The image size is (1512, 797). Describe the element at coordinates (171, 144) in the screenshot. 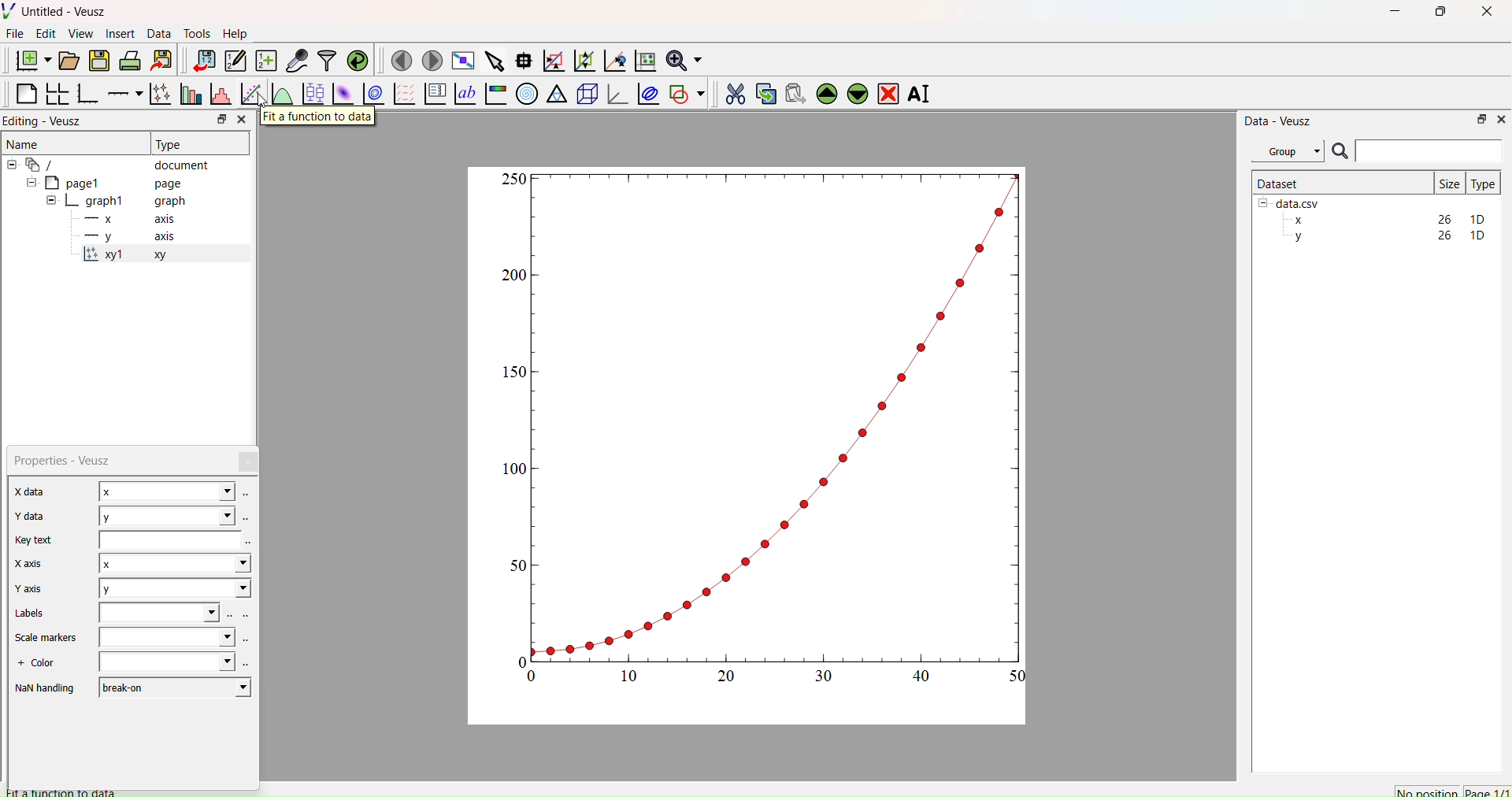

I see `Type` at that location.